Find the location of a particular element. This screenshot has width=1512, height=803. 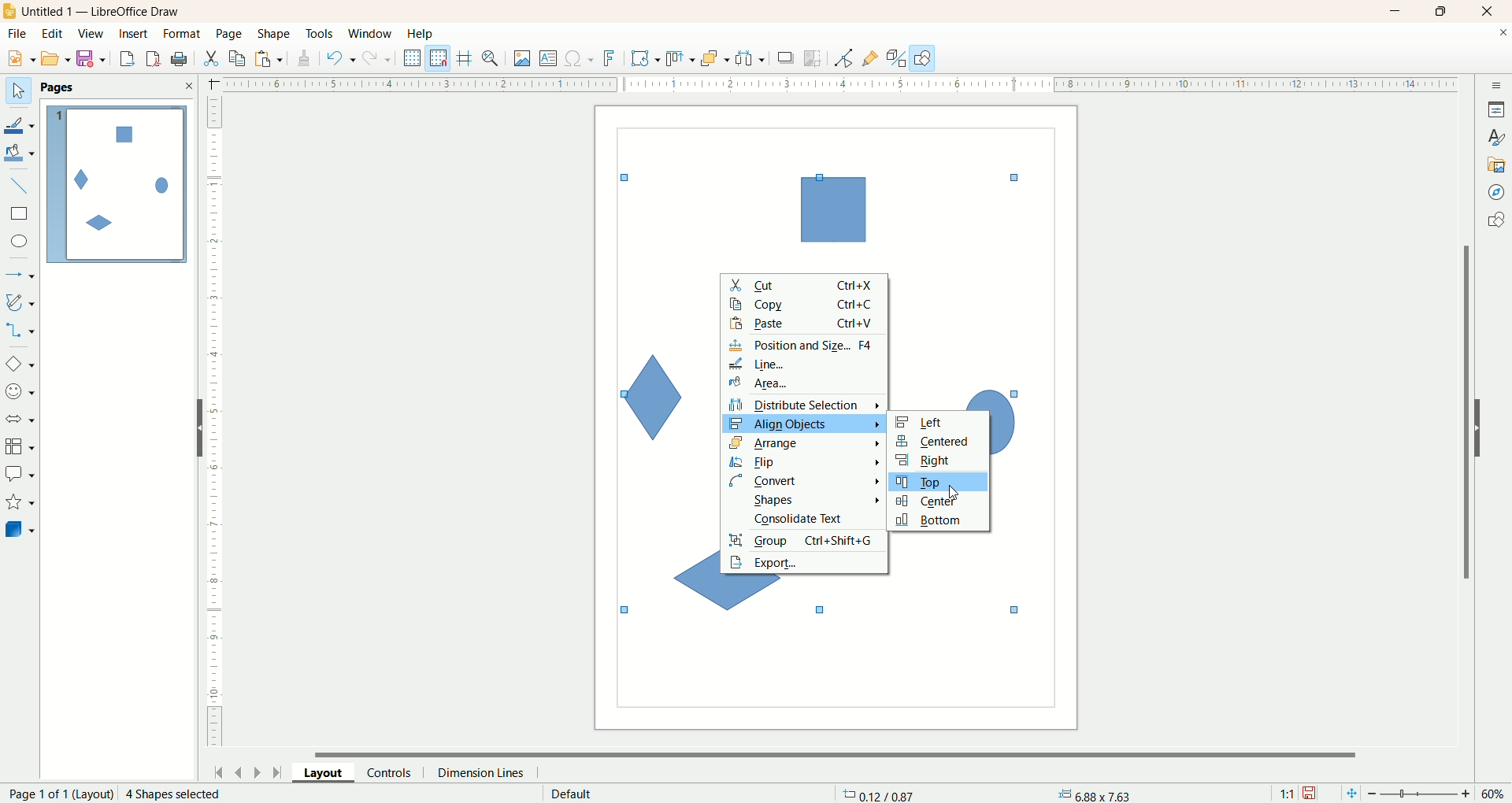

insert is located at coordinates (135, 34).